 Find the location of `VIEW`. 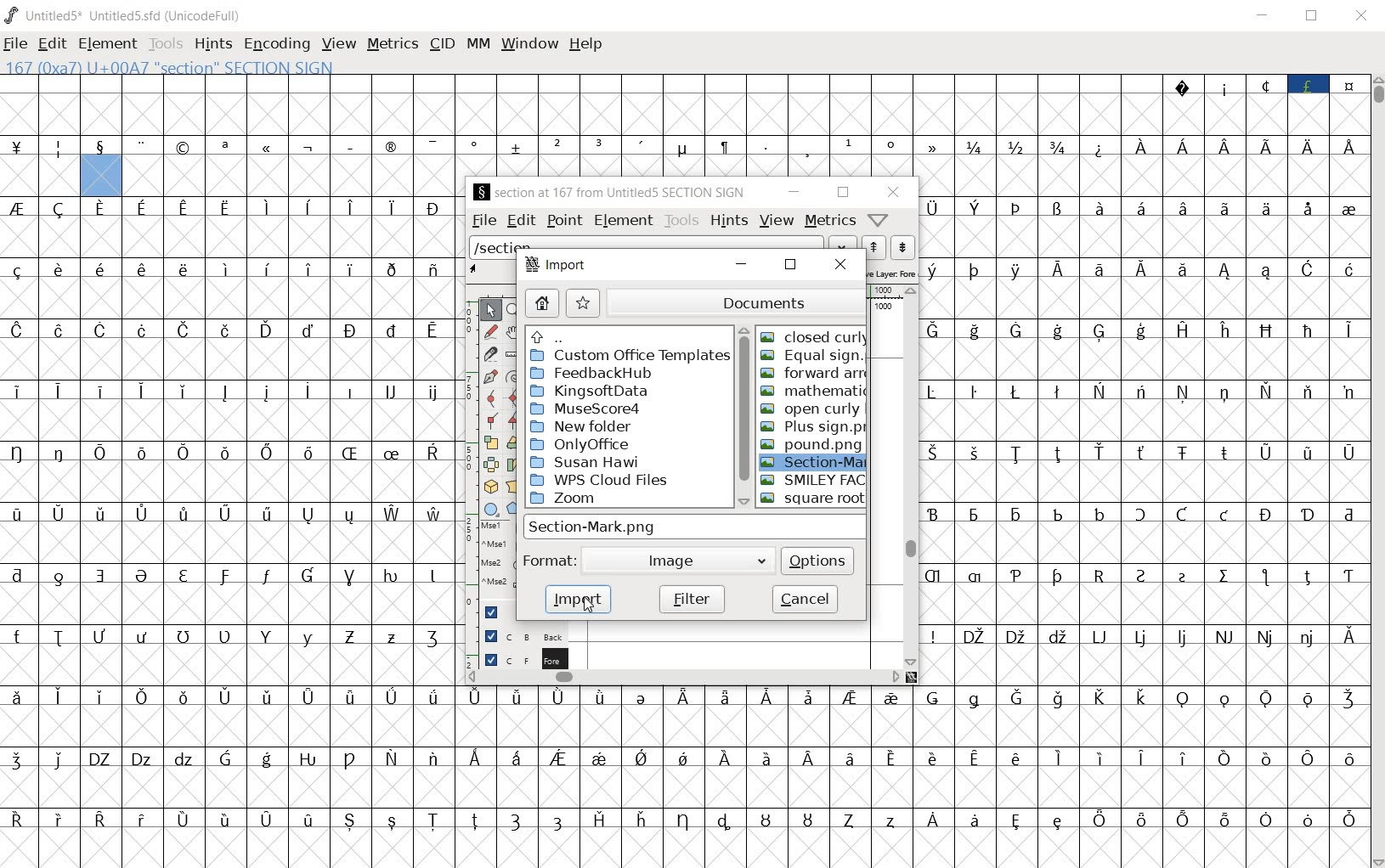

VIEW is located at coordinates (339, 45).